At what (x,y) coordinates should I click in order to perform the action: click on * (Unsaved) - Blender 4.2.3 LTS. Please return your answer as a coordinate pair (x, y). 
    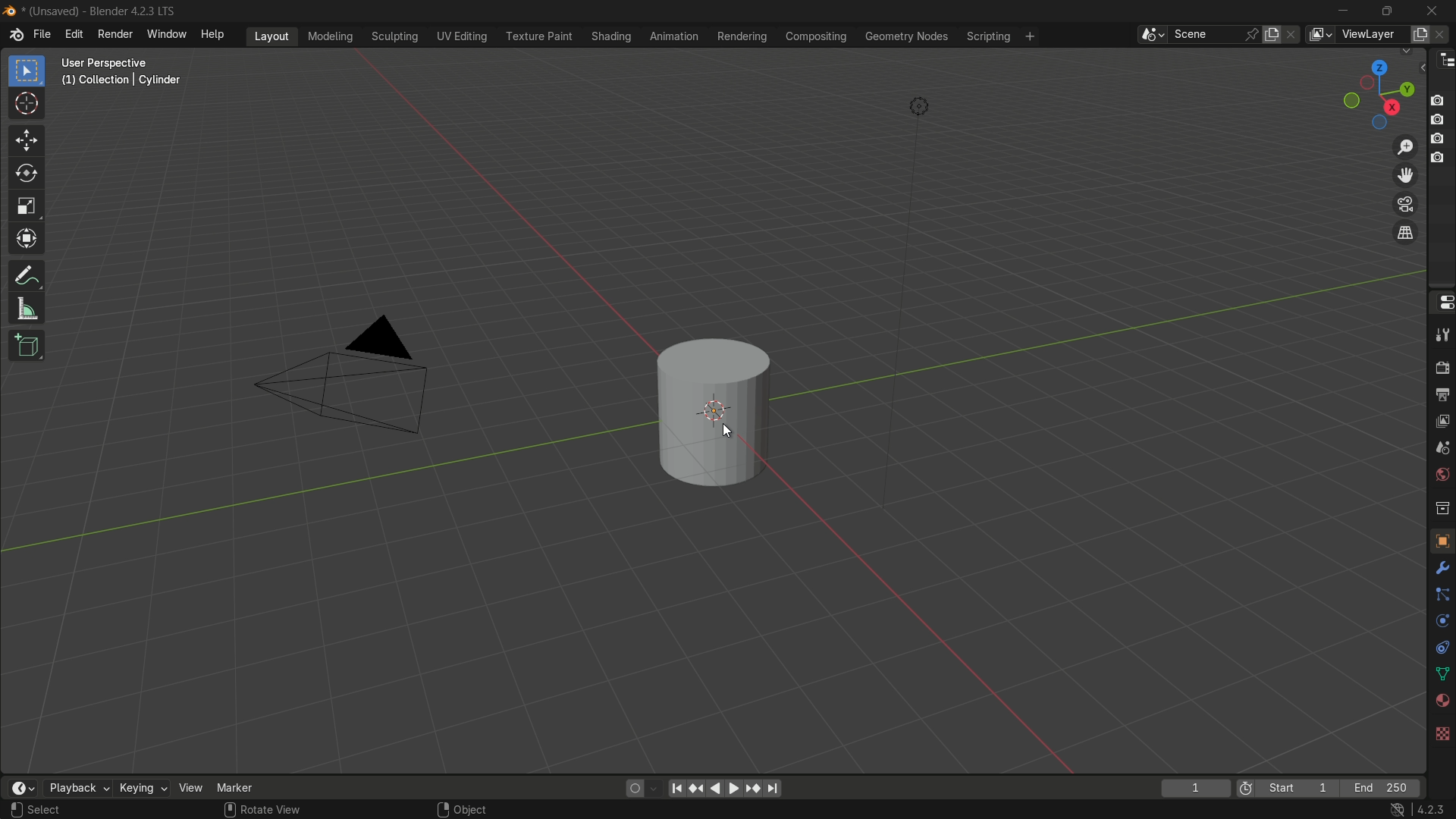
    Looking at the image, I should click on (103, 11).